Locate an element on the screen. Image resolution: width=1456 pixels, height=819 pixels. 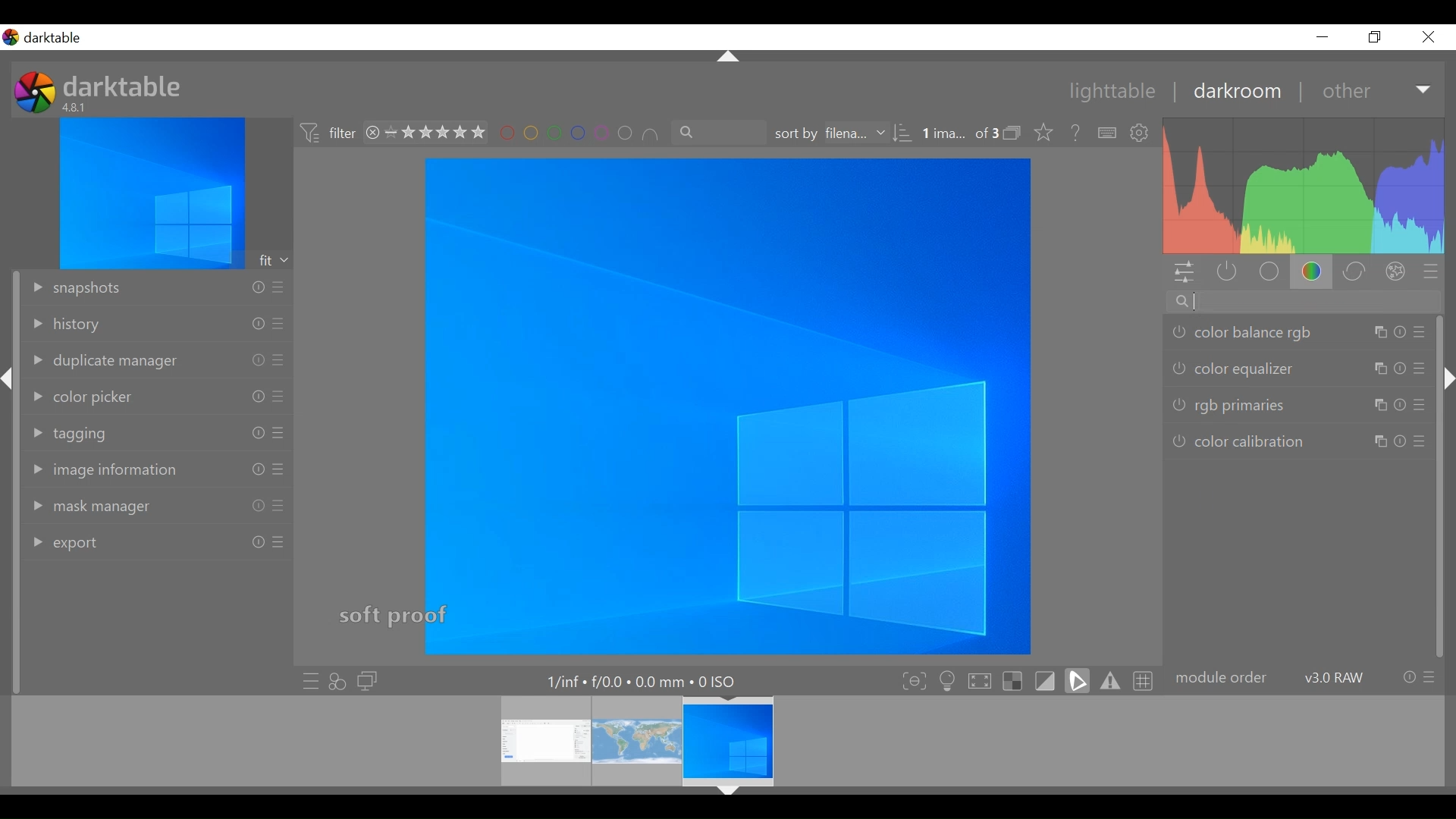
effect is located at coordinates (1396, 271).